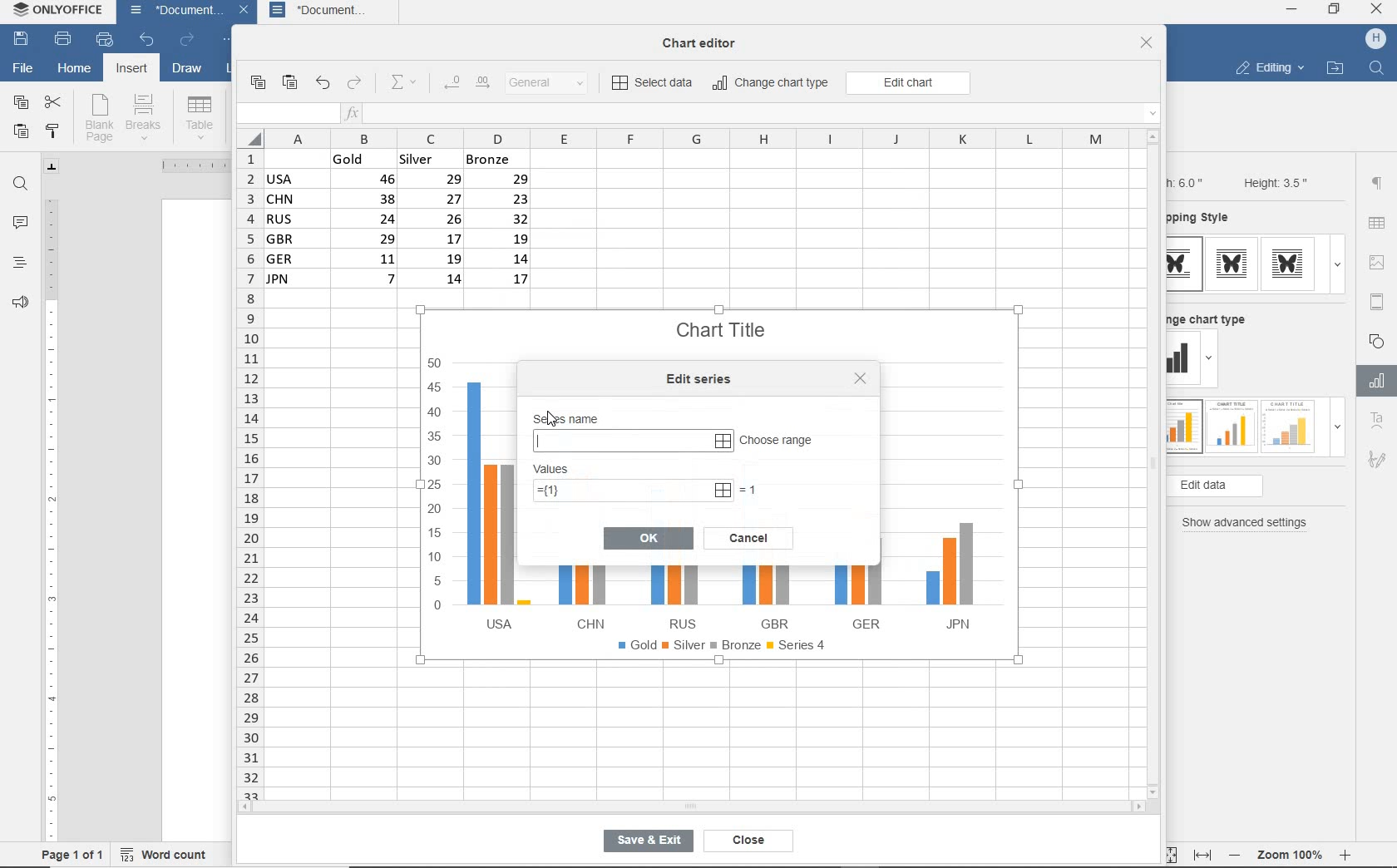 Image resolution: width=1397 pixels, height=868 pixels. What do you see at coordinates (146, 41) in the screenshot?
I see `undo` at bounding box center [146, 41].